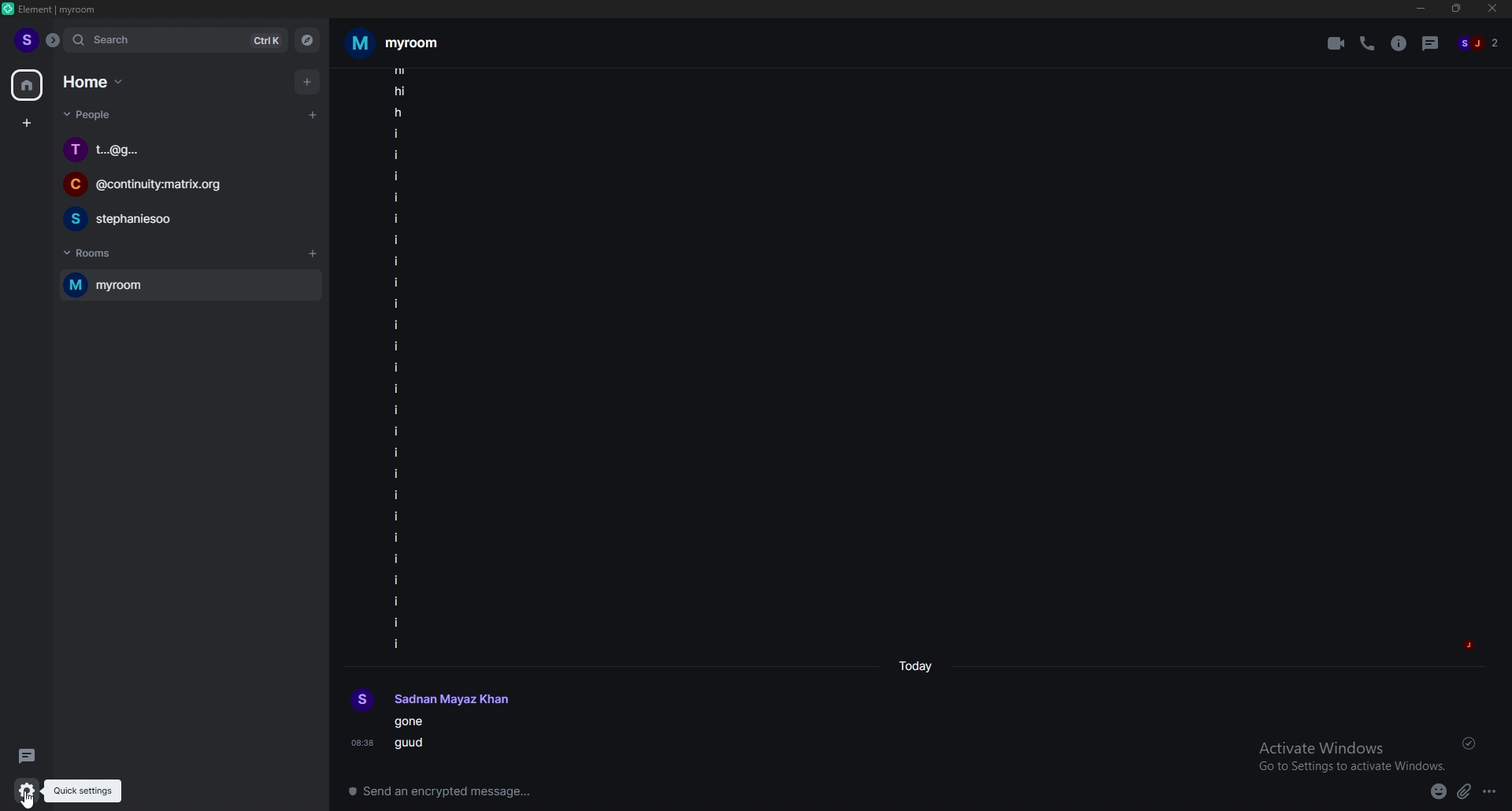  What do you see at coordinates (94, 83) in the screenshot?
I see `home` at bounding box center [94, 83].